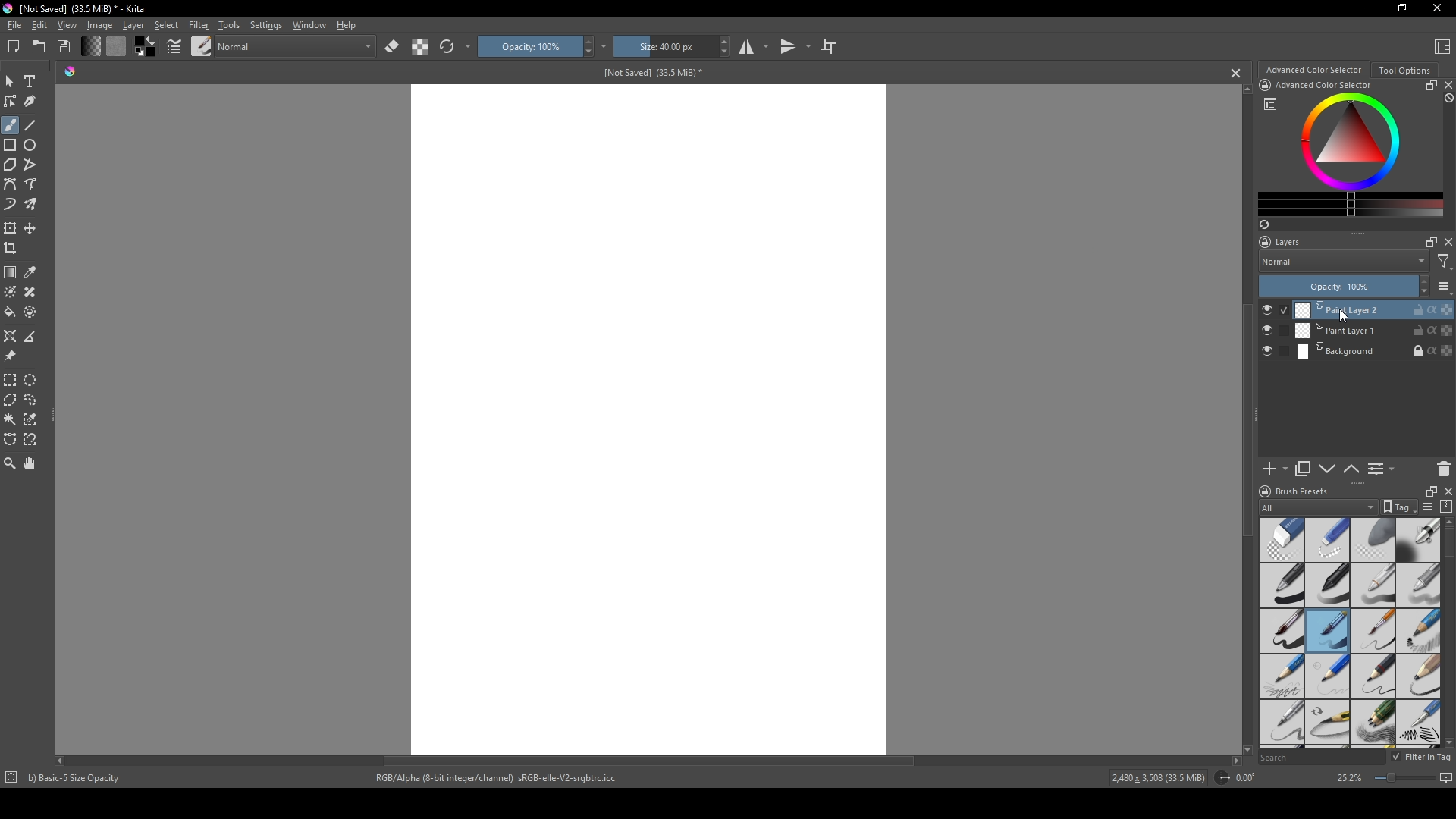  What do you see at coordinates (31, 125) in the screenshot?
I see `line` at bounding box center [31, 125].